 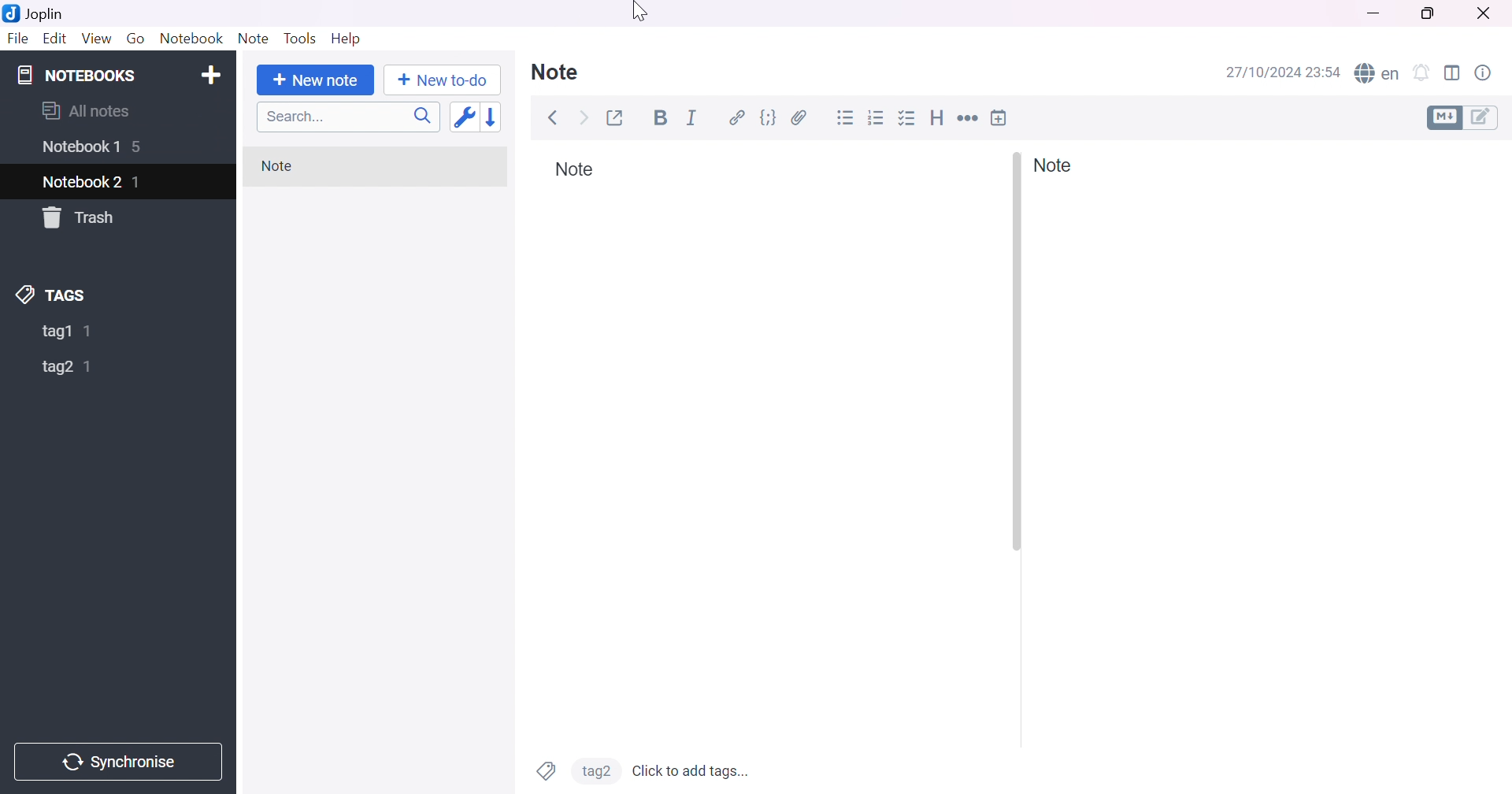 What do you see at coordinates (999, 117) in the screenshot?
I see `Insert time` at bounding box center [999, 117].